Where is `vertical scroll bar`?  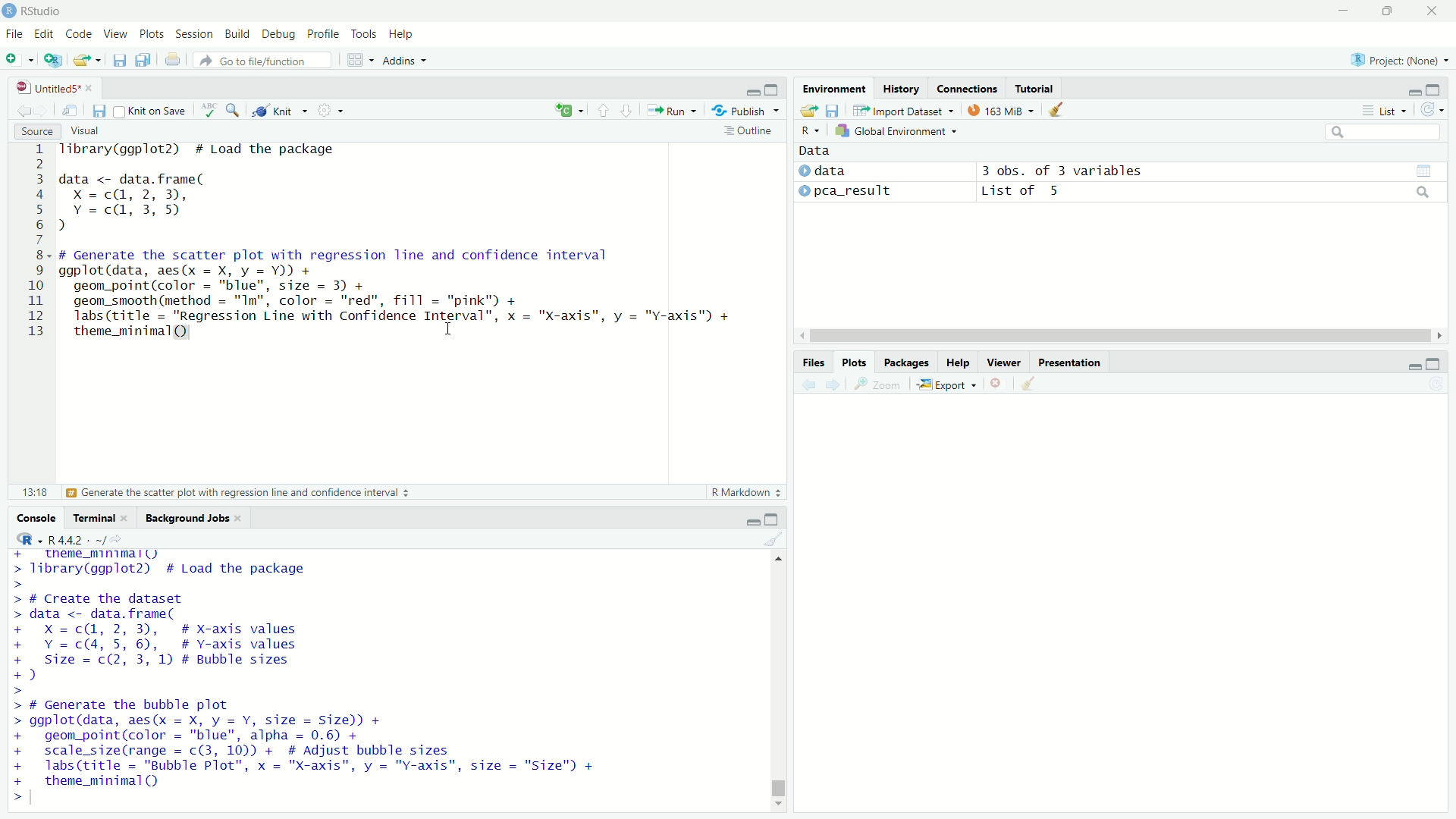 vertical scroll bar is located at coordinates (779, 680).